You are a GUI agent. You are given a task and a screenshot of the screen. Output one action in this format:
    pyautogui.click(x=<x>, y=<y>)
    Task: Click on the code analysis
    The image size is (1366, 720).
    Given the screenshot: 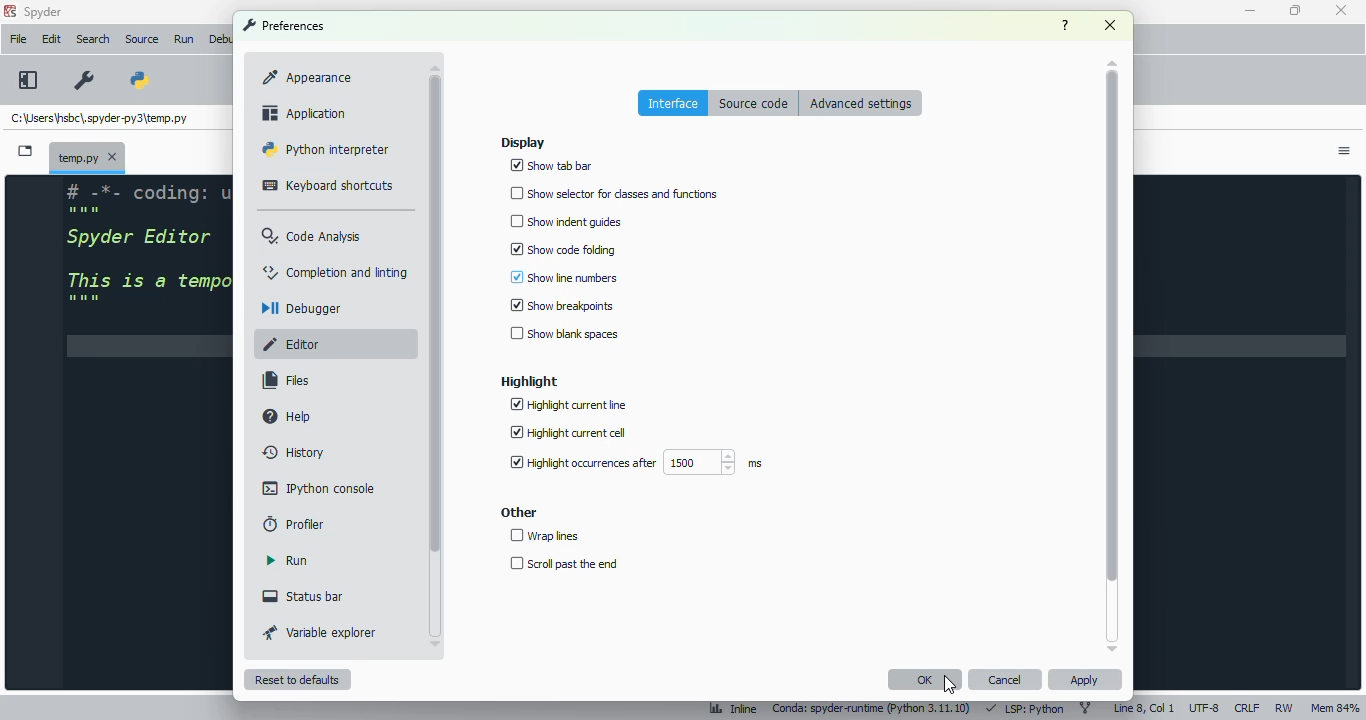 What is the action you would take?
    pyautogui.click(x=314, y=237)
    